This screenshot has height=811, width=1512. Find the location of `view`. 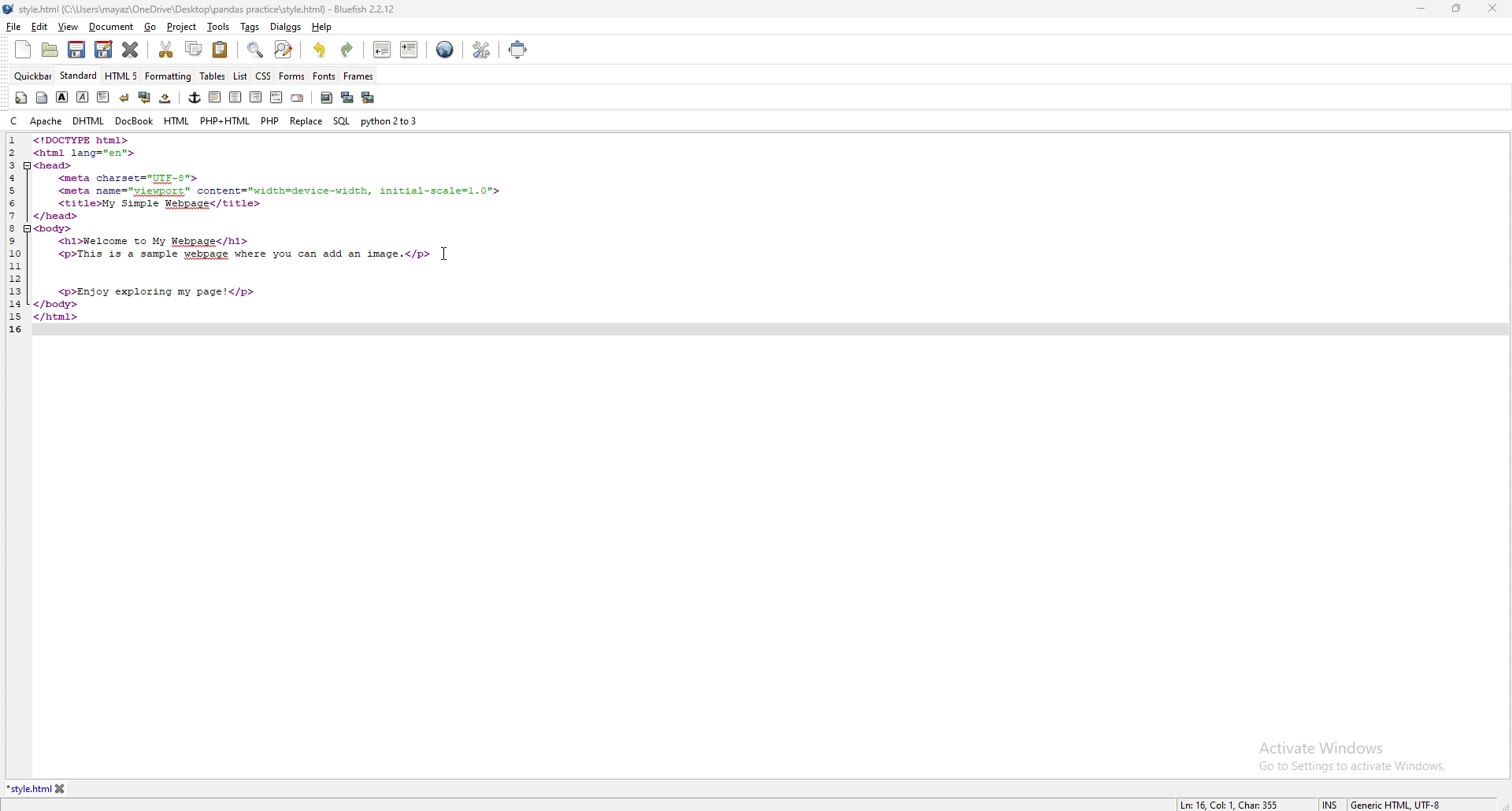

view is located at coordinates (69, 26).